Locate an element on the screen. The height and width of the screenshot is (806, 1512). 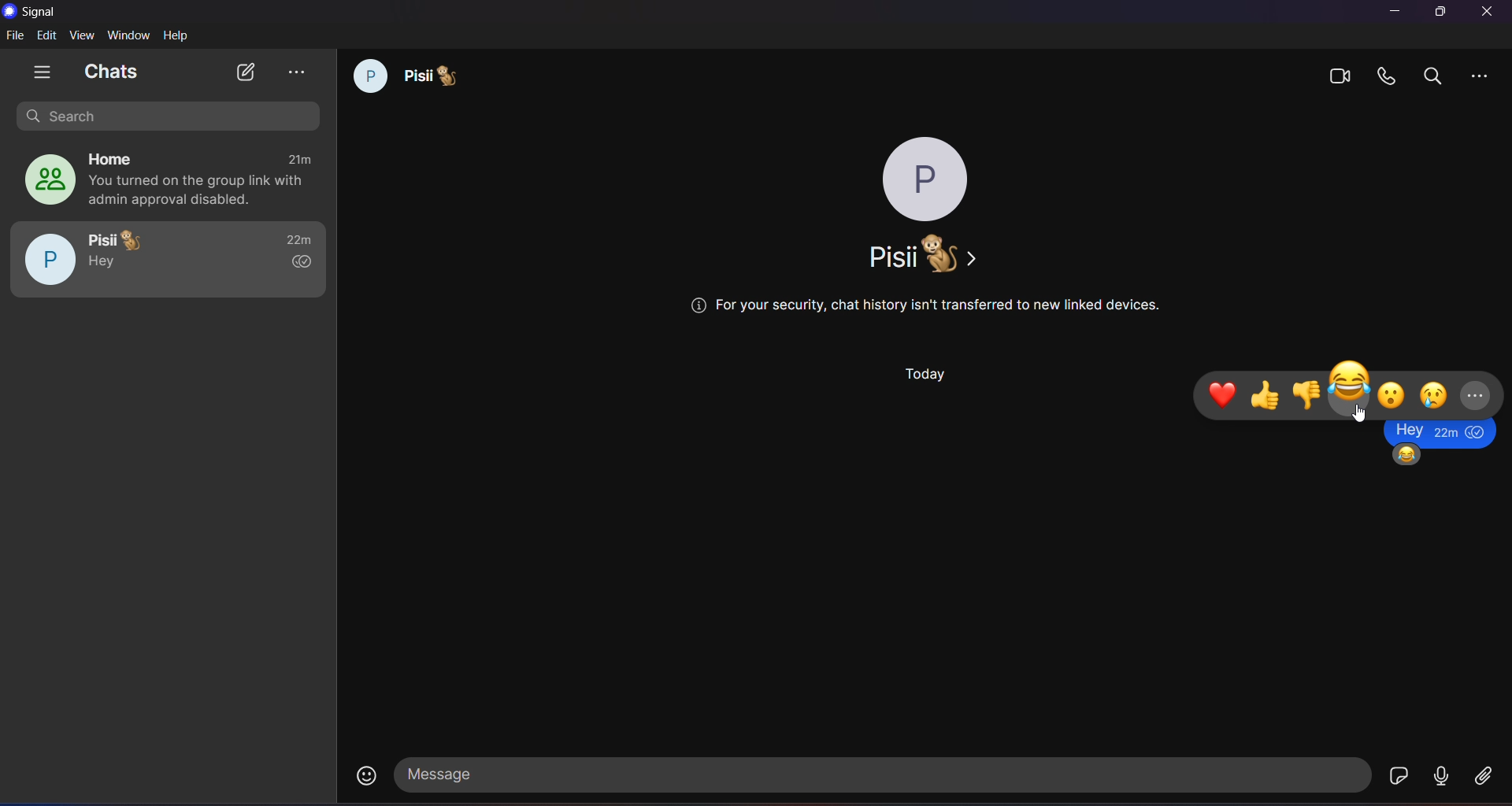
voice message is located at coordinates (1439, 780).